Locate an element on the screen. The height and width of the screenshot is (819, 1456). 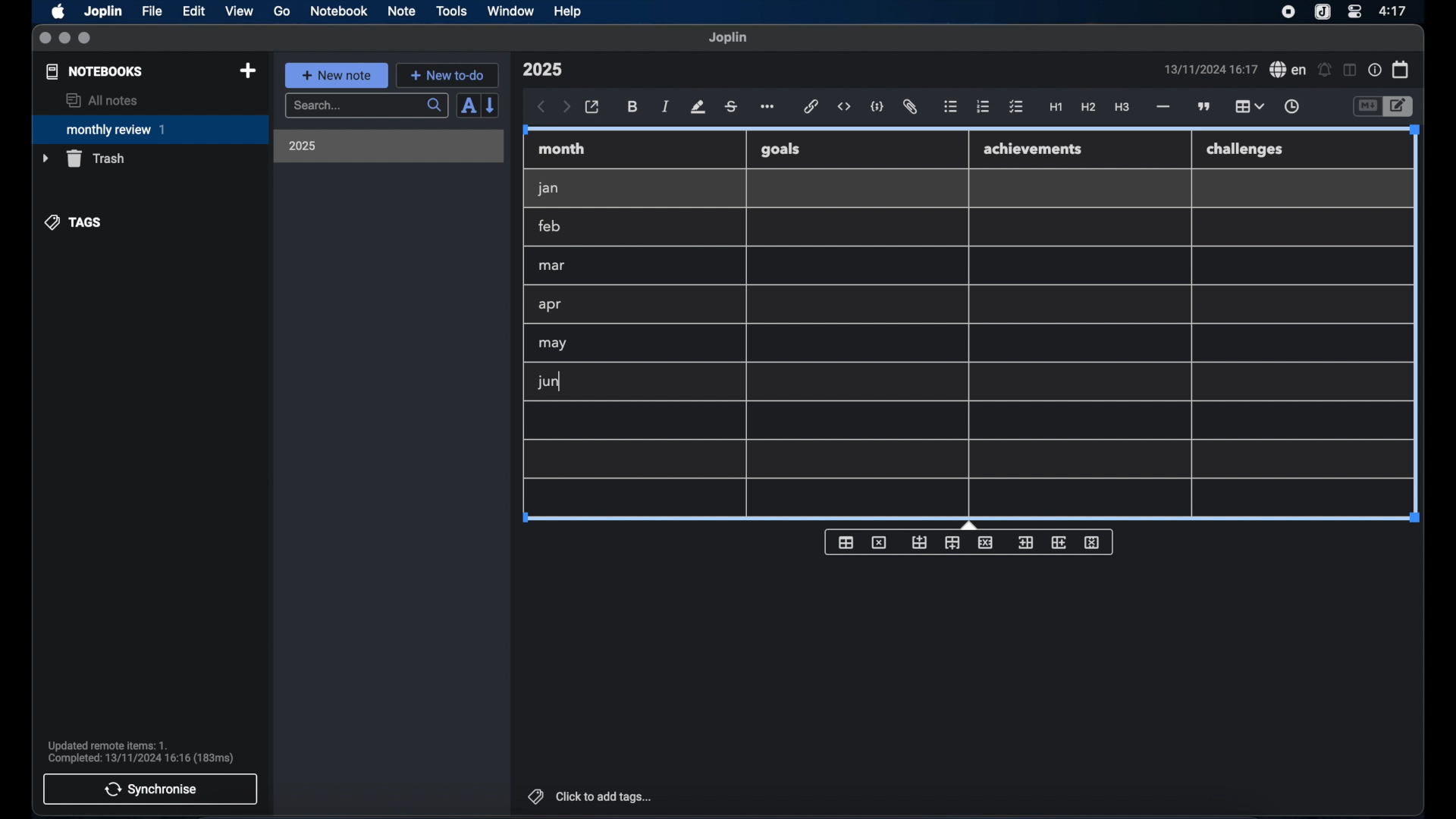
insert row after is located at coordinates (952, 543).